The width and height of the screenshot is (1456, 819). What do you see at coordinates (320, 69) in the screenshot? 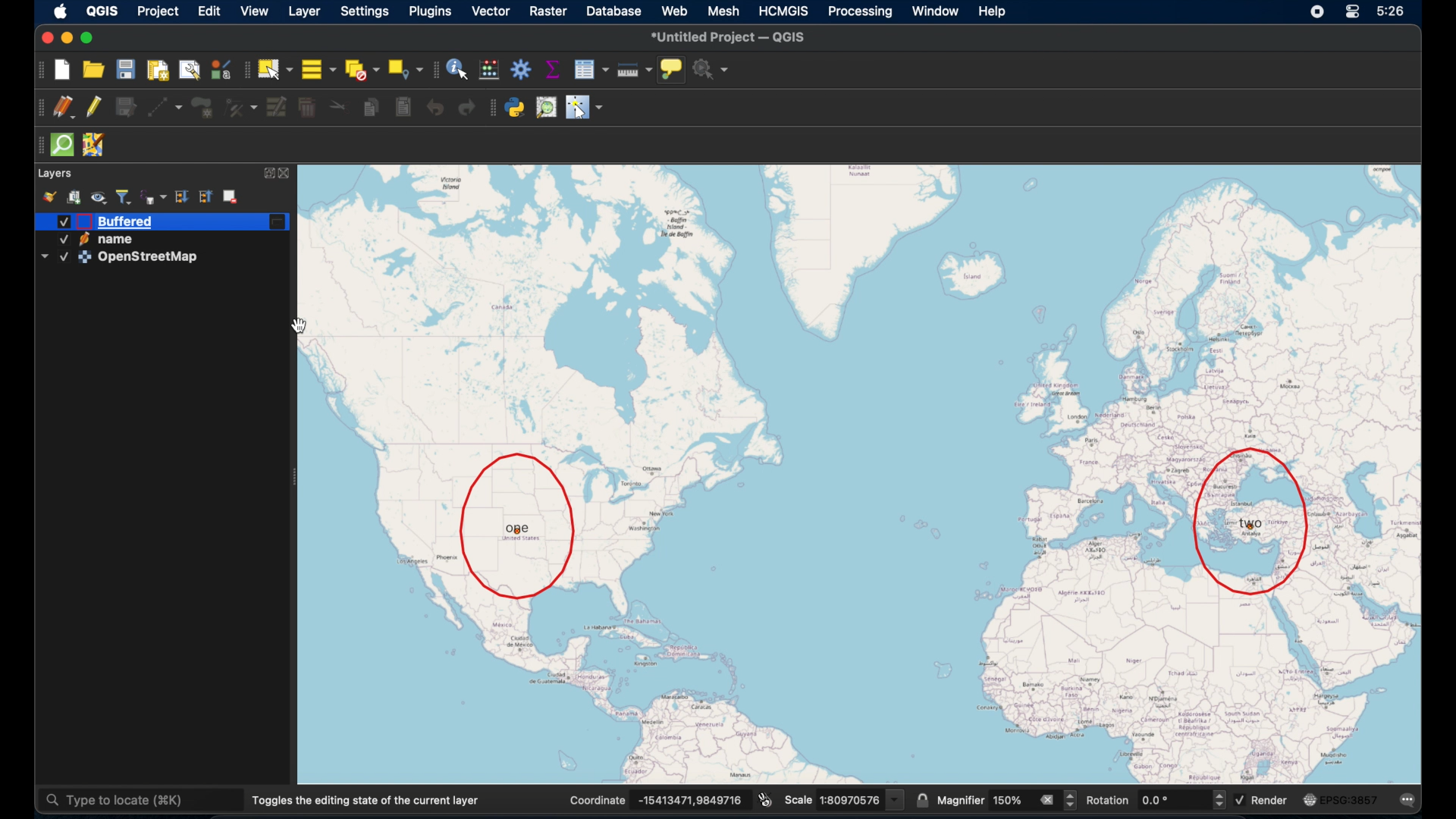
I see `select all features` at bounding box center [320, 69].